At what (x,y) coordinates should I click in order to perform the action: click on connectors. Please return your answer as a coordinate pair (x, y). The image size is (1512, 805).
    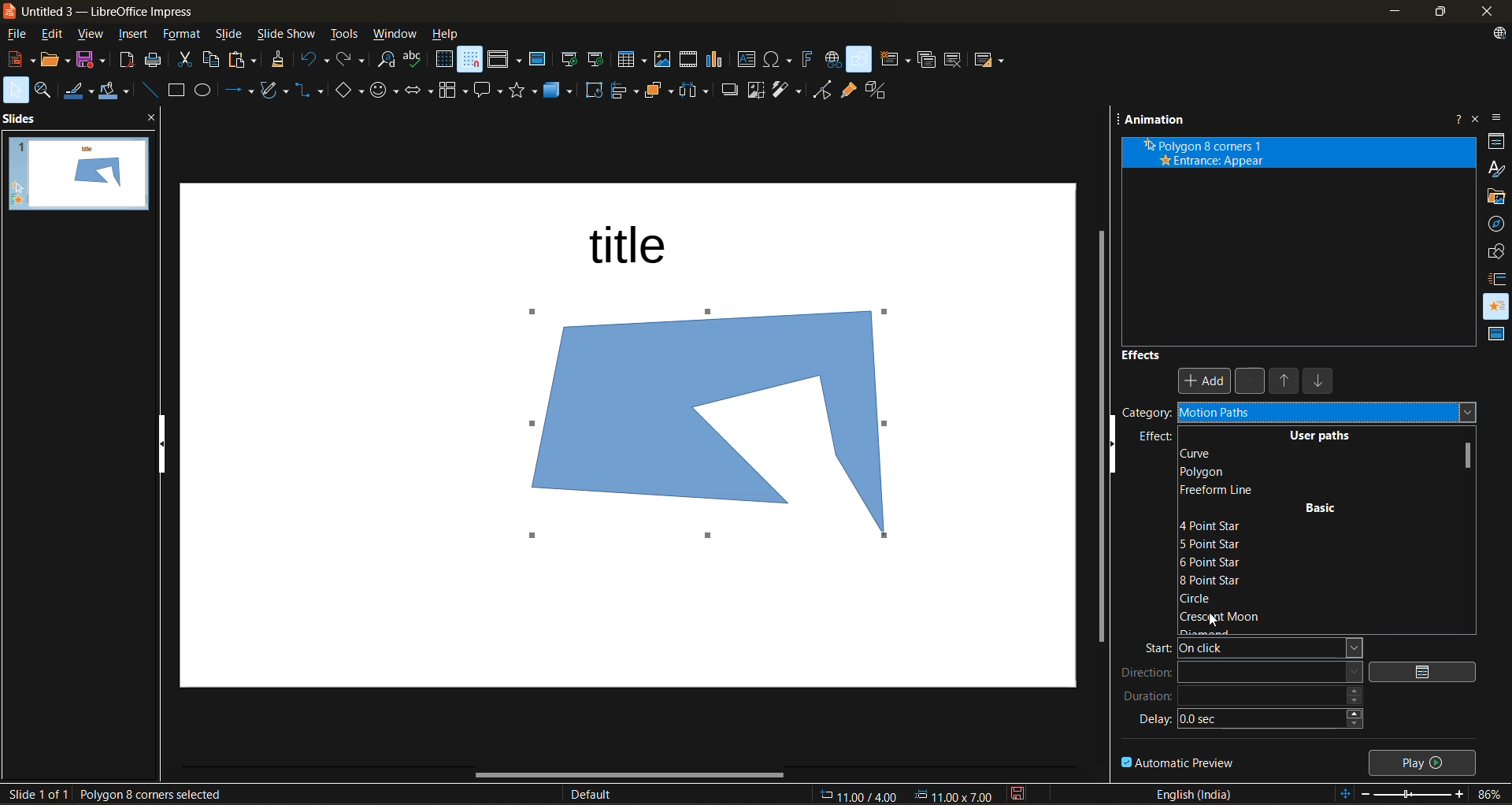
    Looking at the image, I should click on (311, 91).